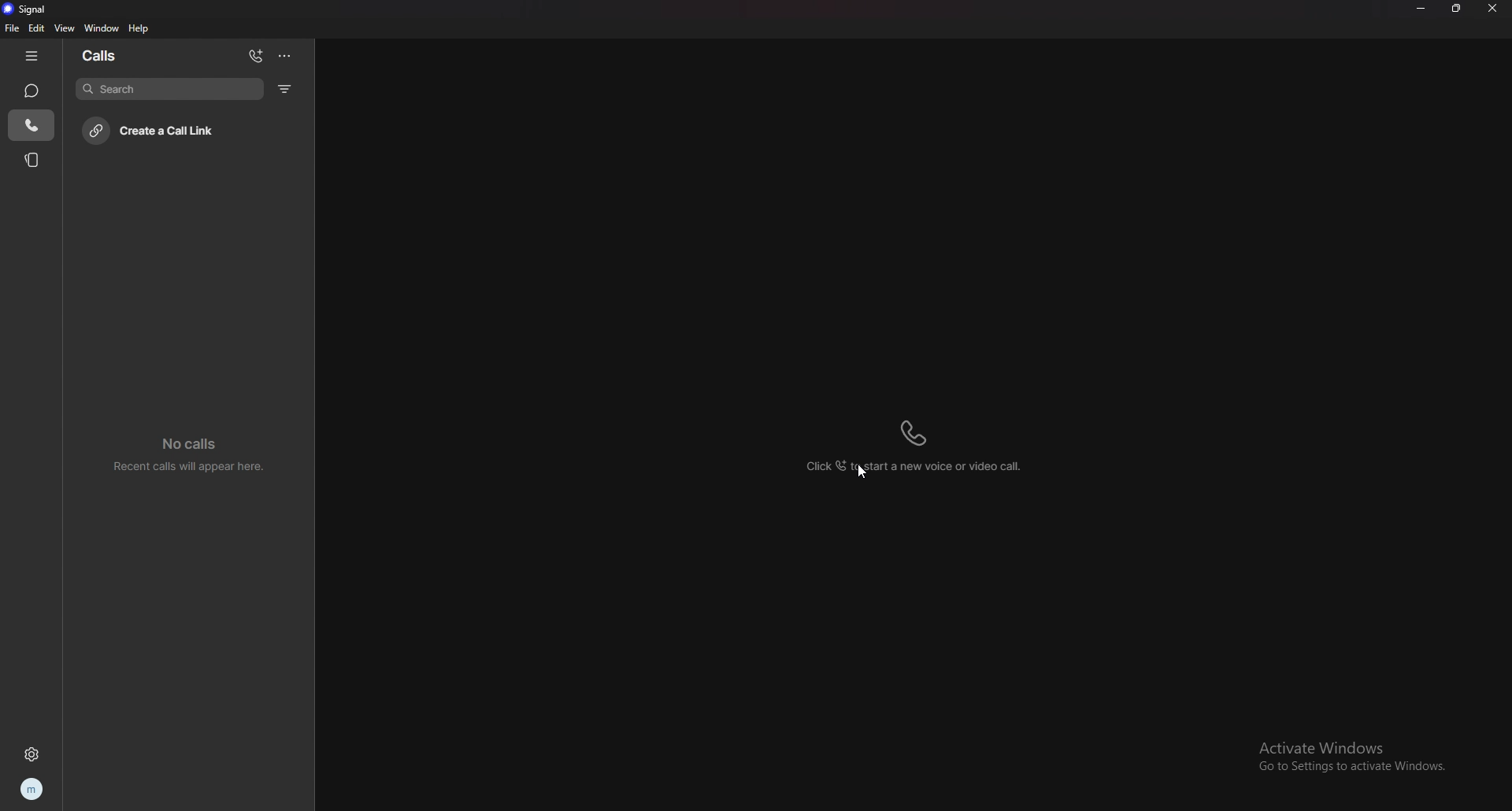 The height and width of the screenshot is (811, 1512). Describe the element at coordinates (862, 476) in the screenshot. I see `cursor` at that location.